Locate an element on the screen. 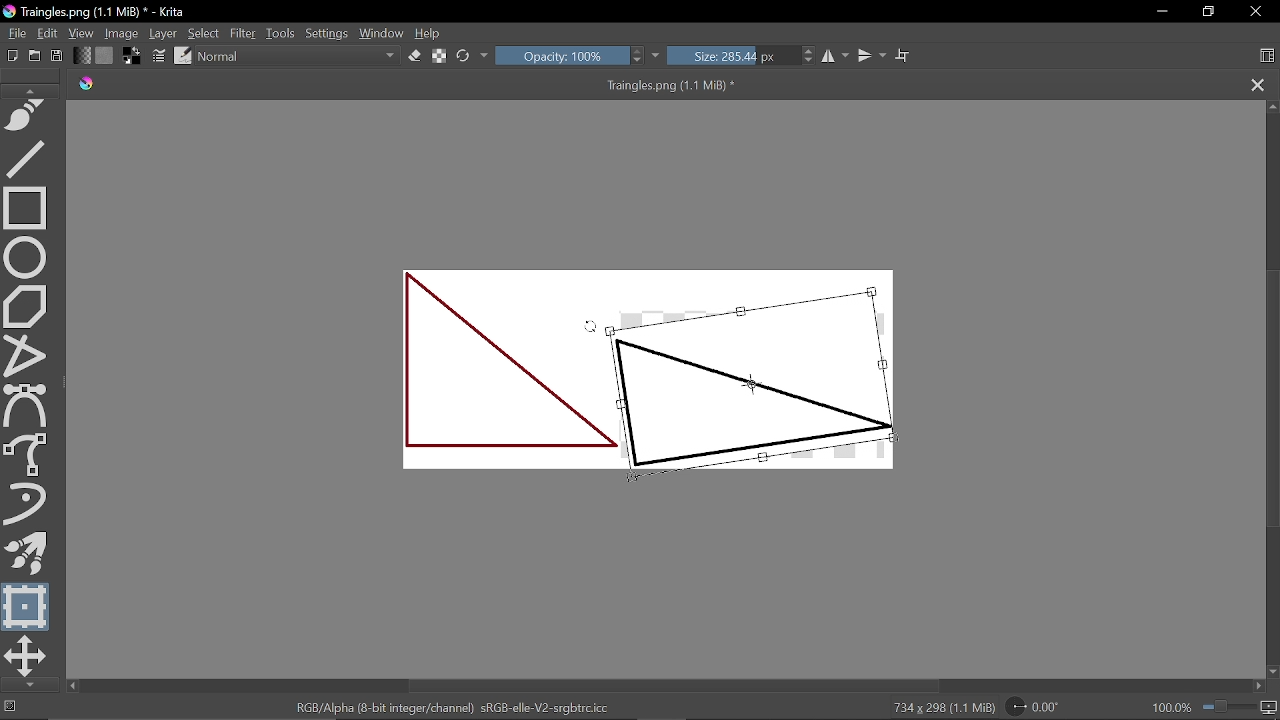  Horizontal scrollbar is located at coordinates (675, 686).